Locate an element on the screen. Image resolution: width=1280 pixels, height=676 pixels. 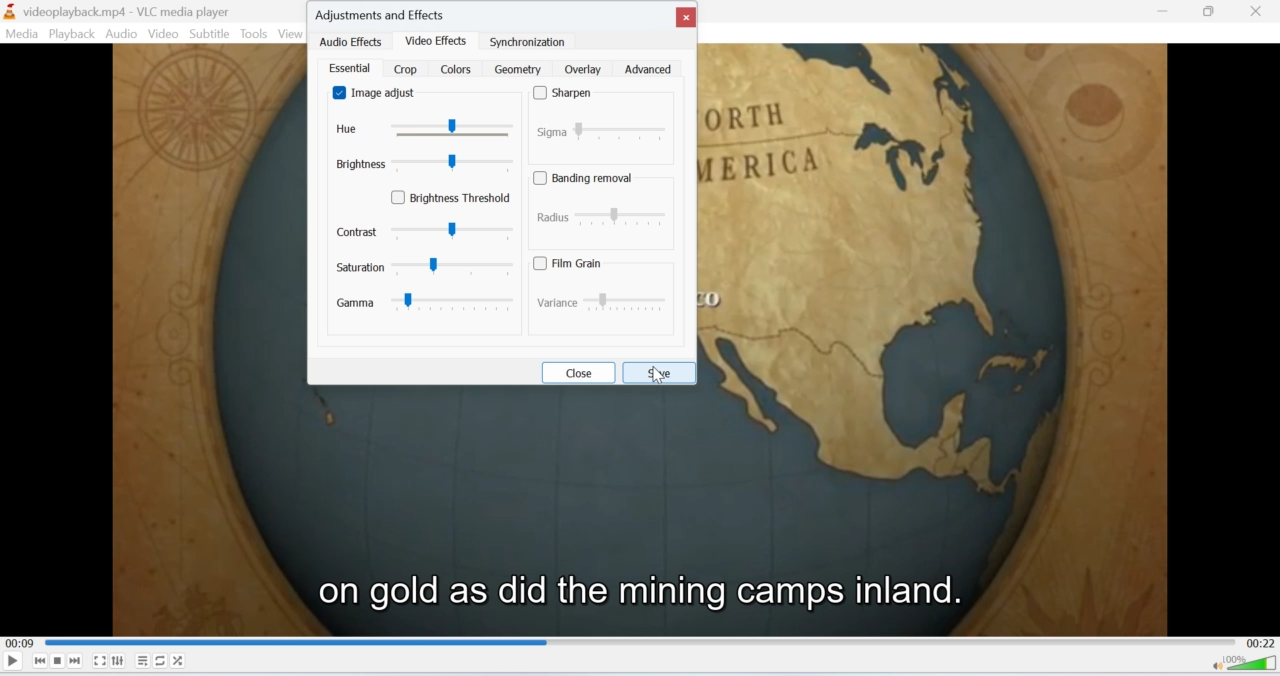
Saturation is located at coordinates (427, 268).